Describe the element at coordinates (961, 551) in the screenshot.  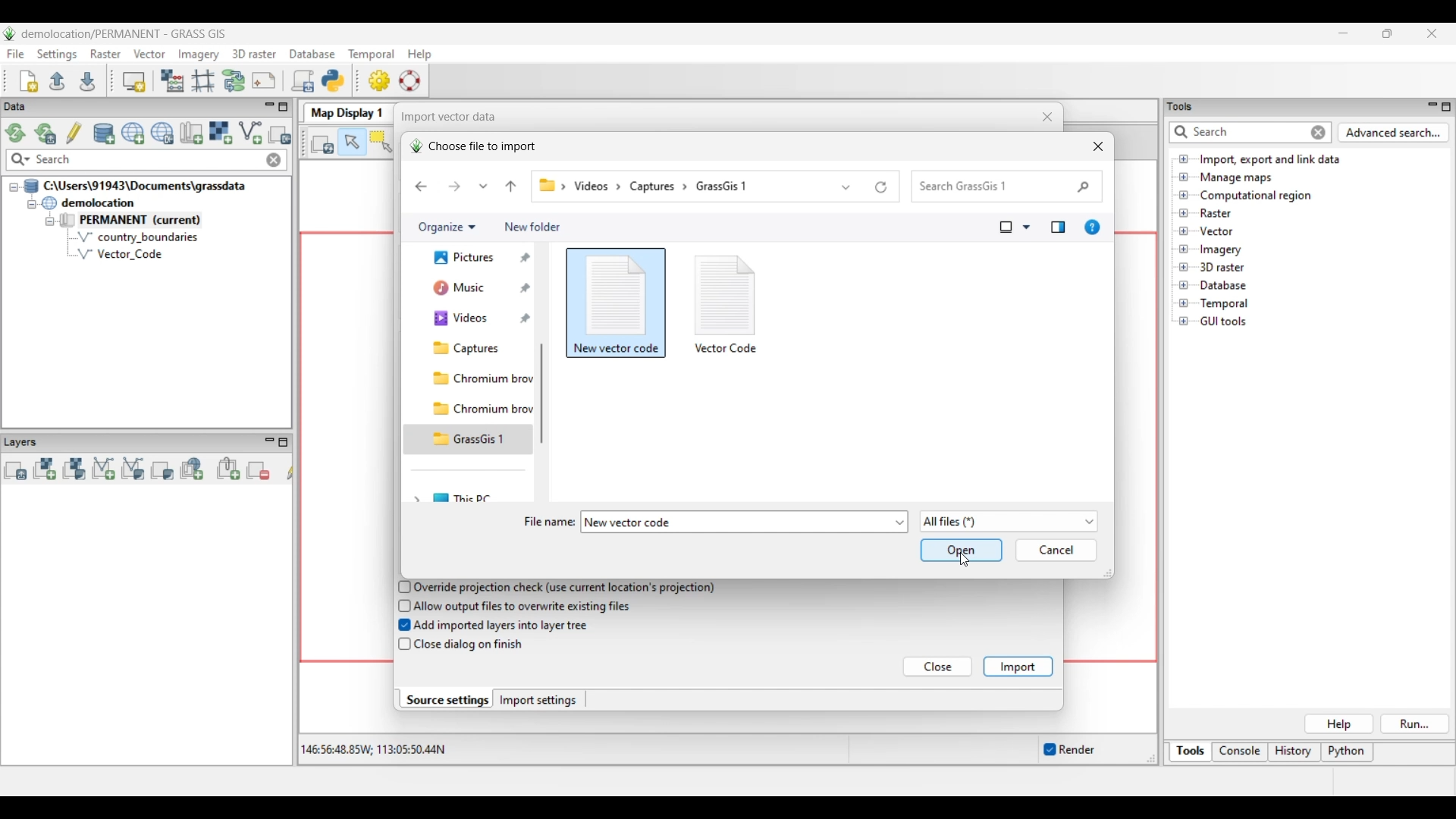
I see `Save and open inputs` at that location.